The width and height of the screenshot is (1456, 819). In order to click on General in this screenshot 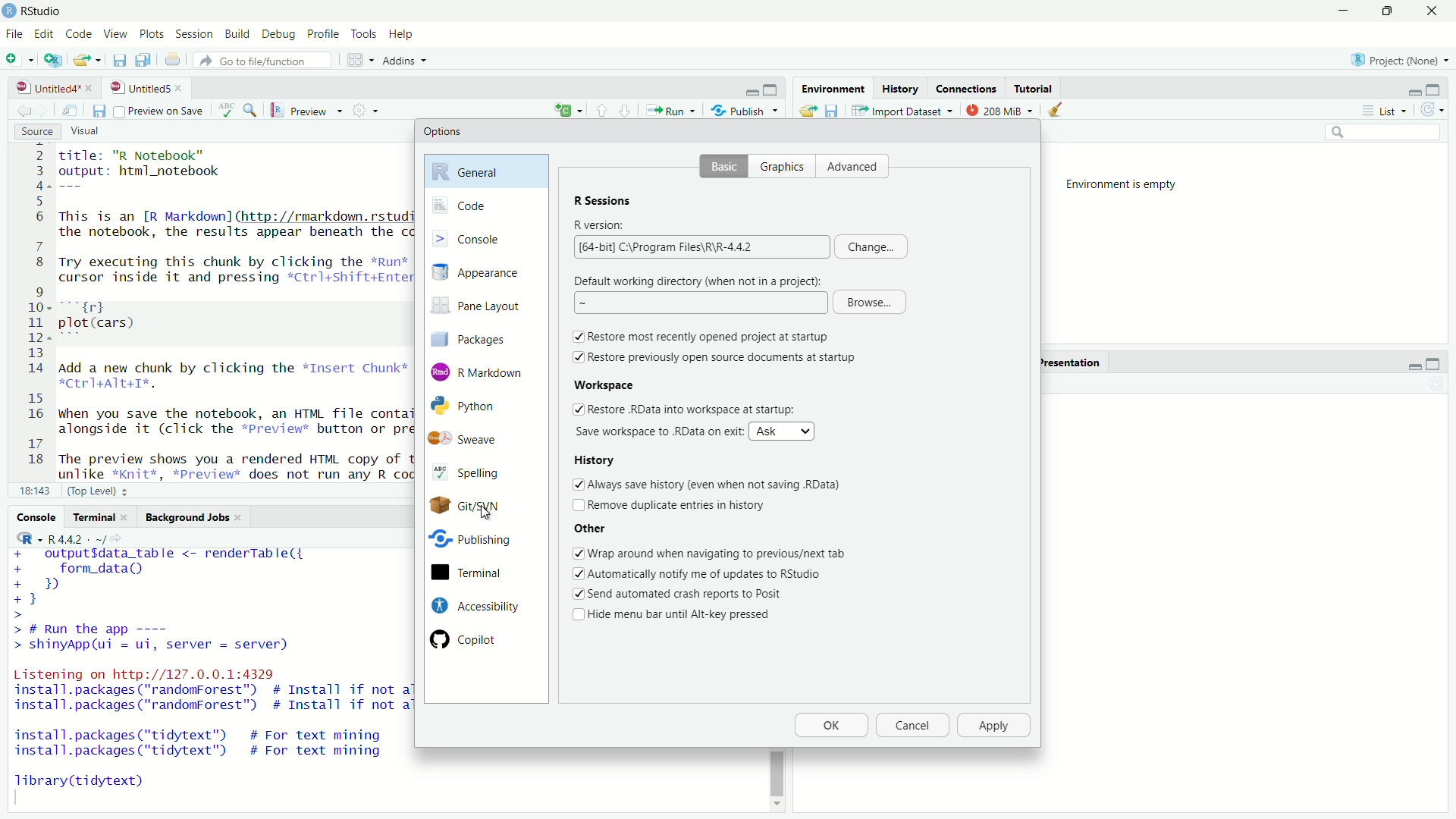, I will do `click(489, 170)`.